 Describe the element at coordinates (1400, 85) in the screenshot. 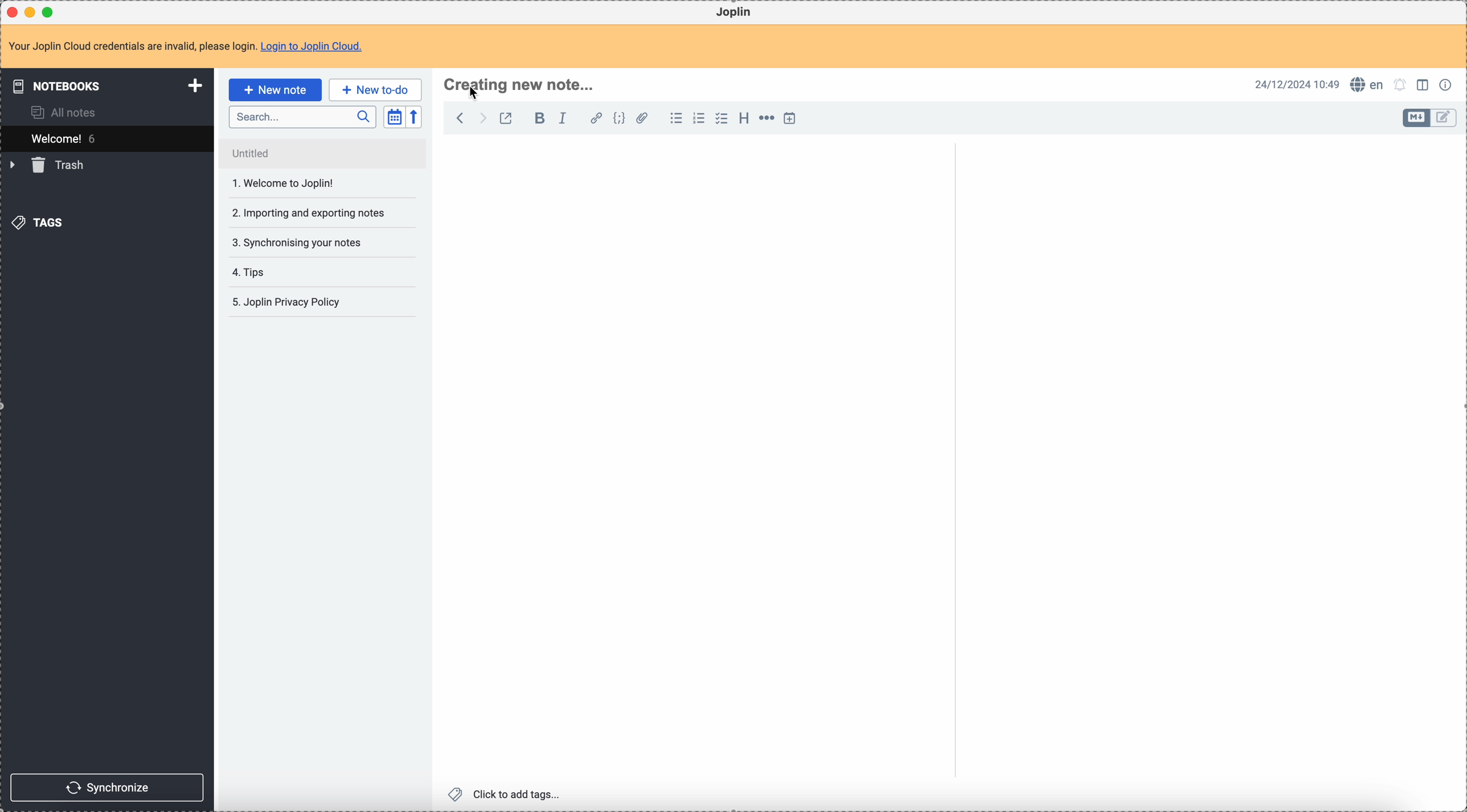

I see `set alarm` at that location.